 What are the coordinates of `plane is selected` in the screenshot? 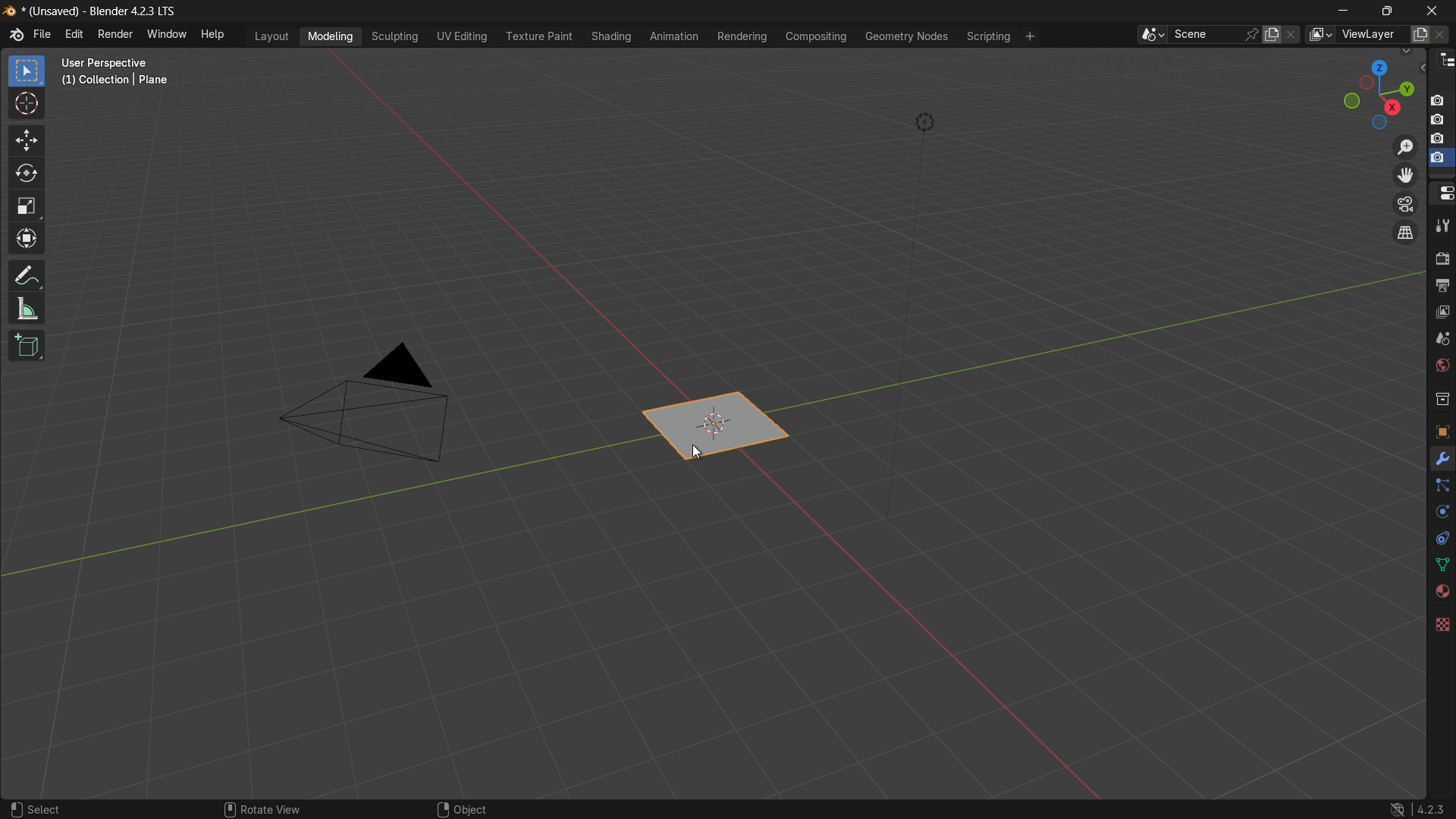 It's located at (714, 425).